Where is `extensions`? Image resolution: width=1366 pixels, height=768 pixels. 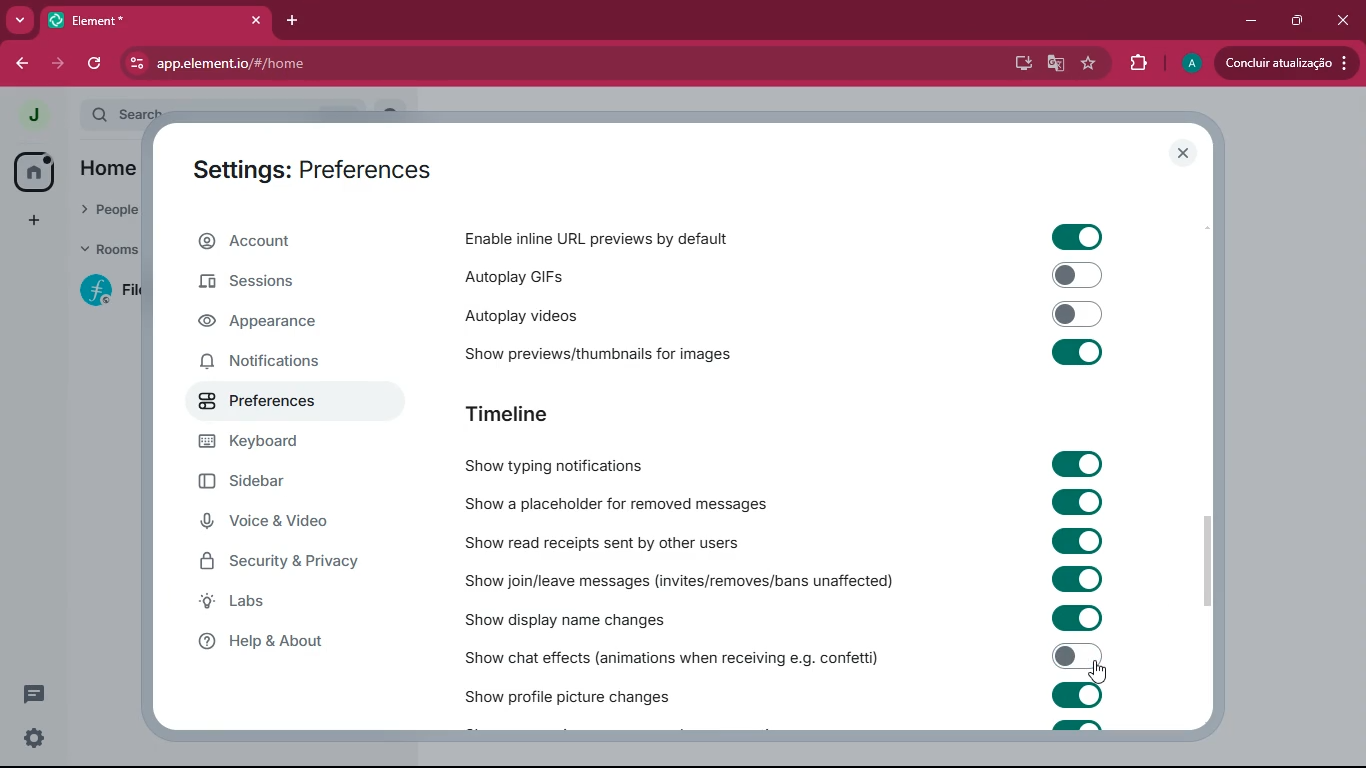
extensions is located at coordinates (1135, 64).